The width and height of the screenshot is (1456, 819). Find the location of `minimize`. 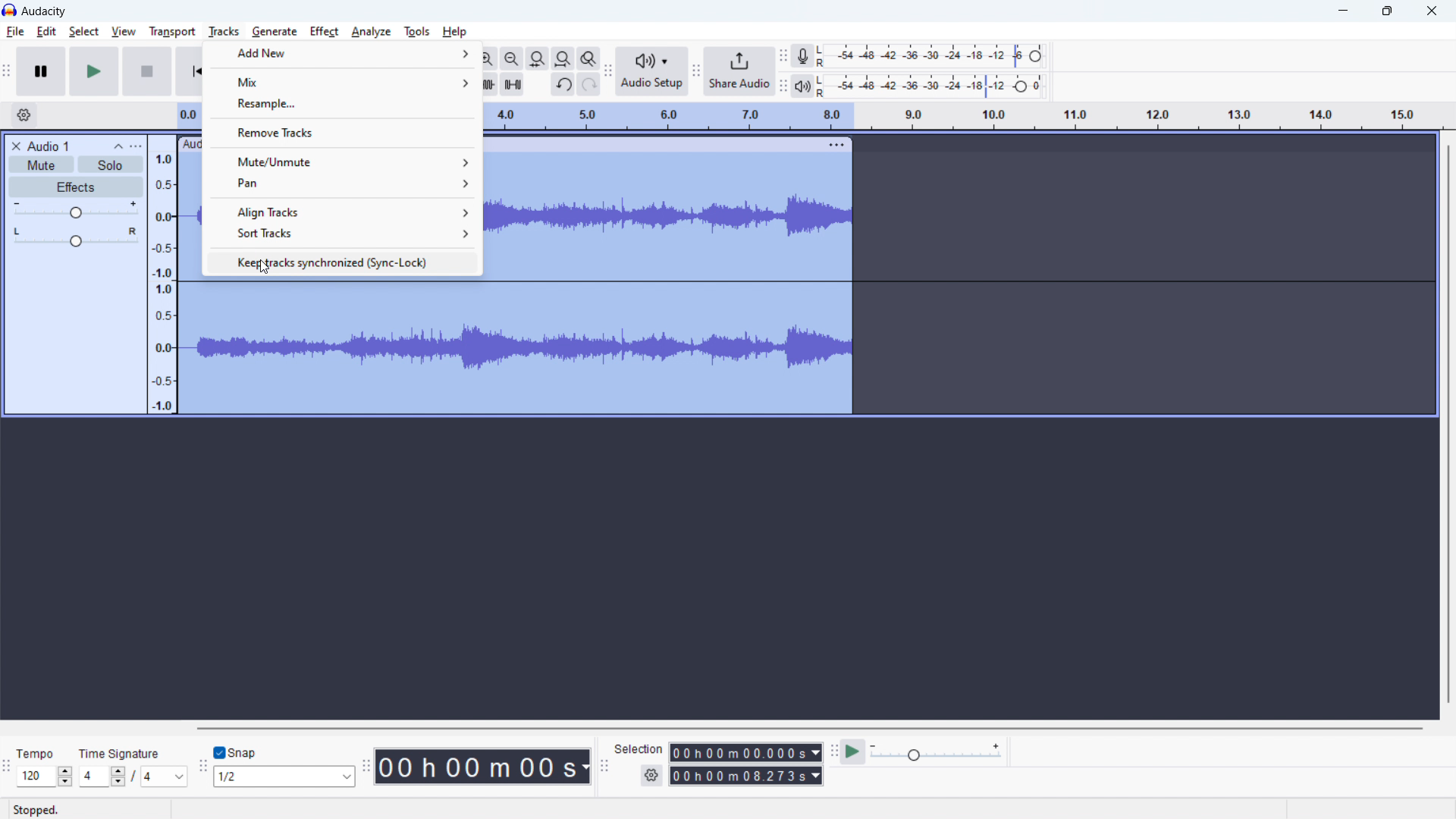

minimize is located at coordinates (1341, 11).